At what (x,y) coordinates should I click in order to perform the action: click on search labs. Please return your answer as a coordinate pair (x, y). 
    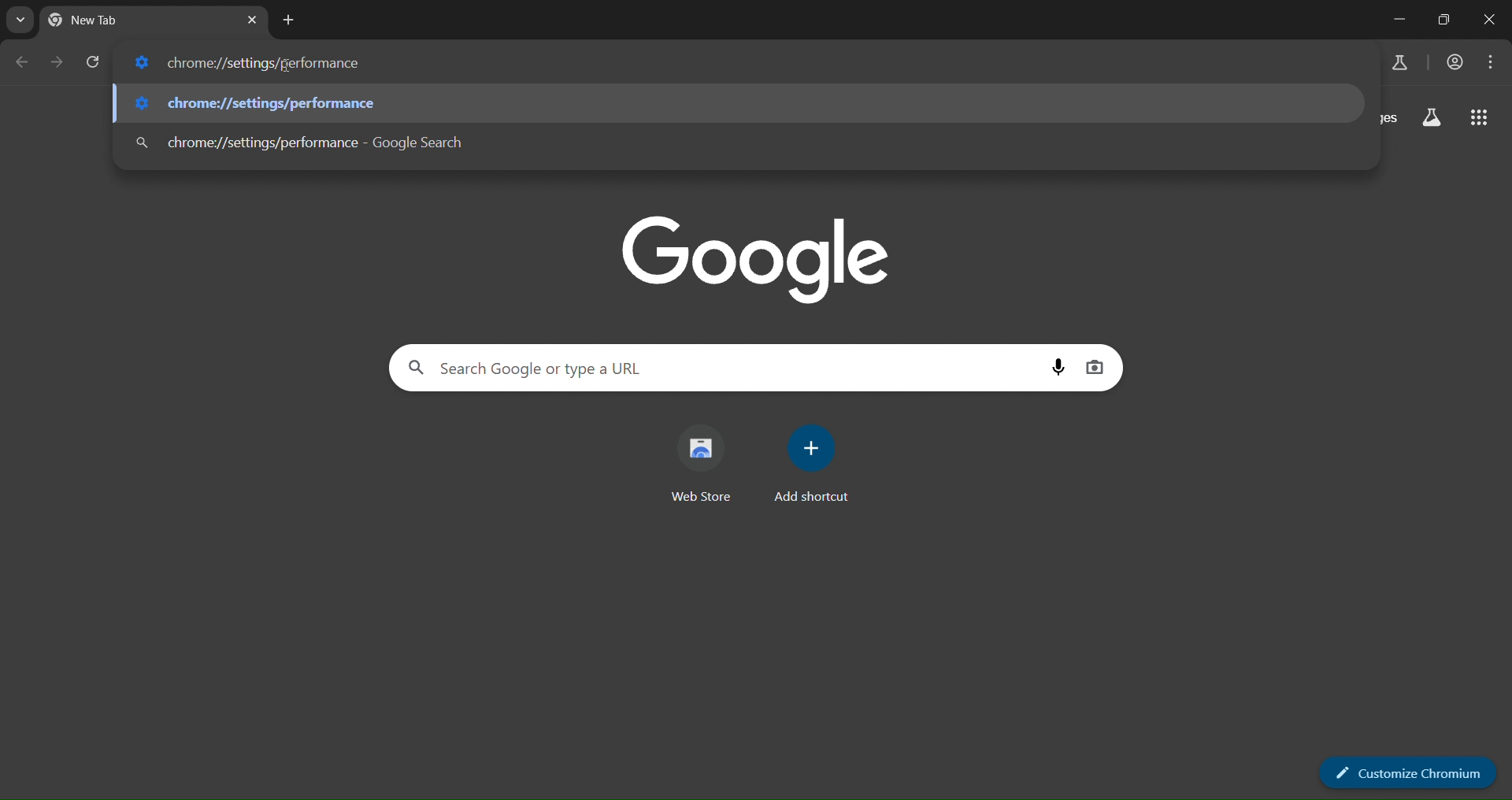
    Looking at the image, I should click on (1432, 117).